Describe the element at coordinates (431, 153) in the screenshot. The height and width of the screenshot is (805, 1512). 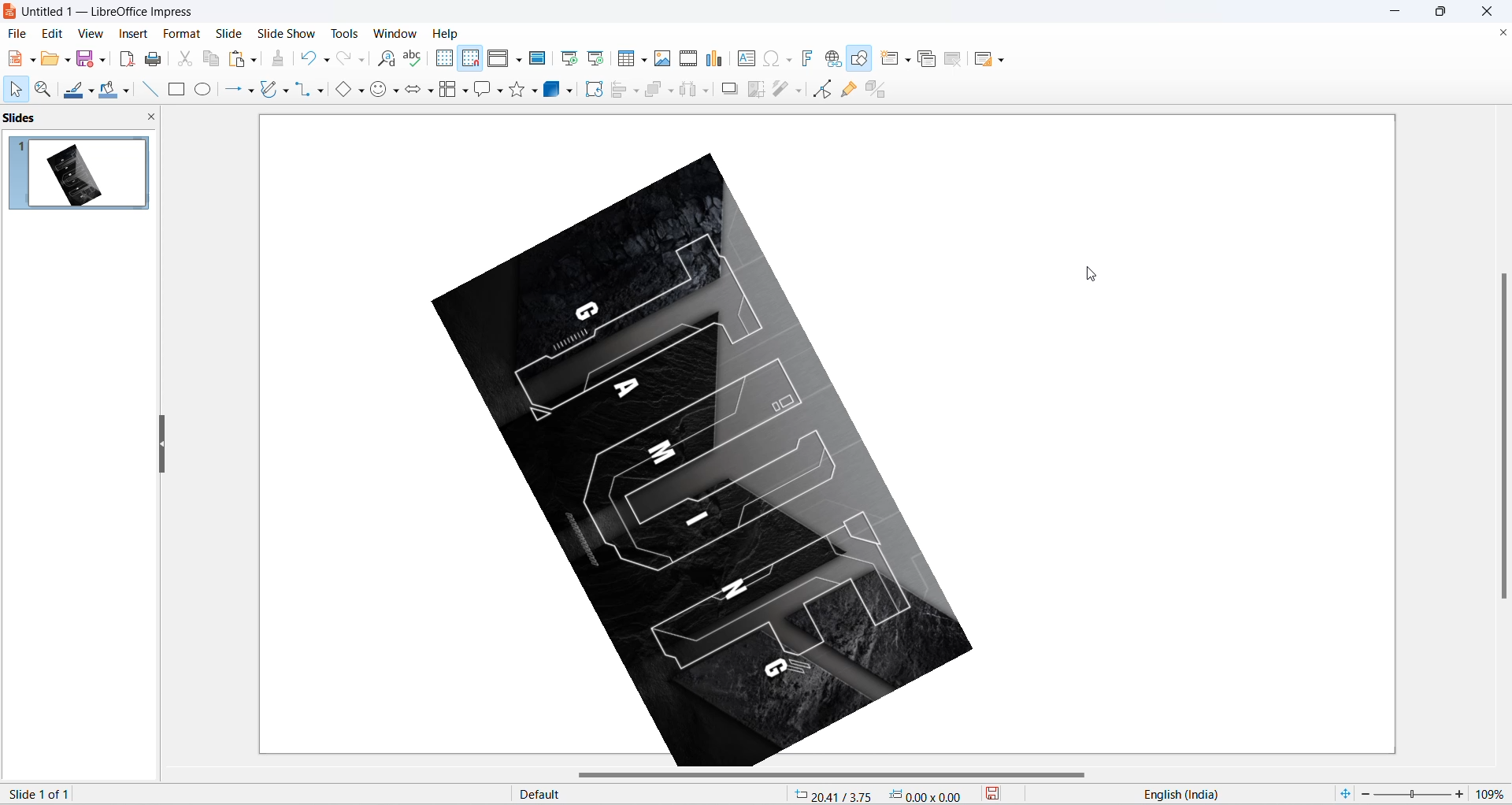
I see `image selection markup` at that location.